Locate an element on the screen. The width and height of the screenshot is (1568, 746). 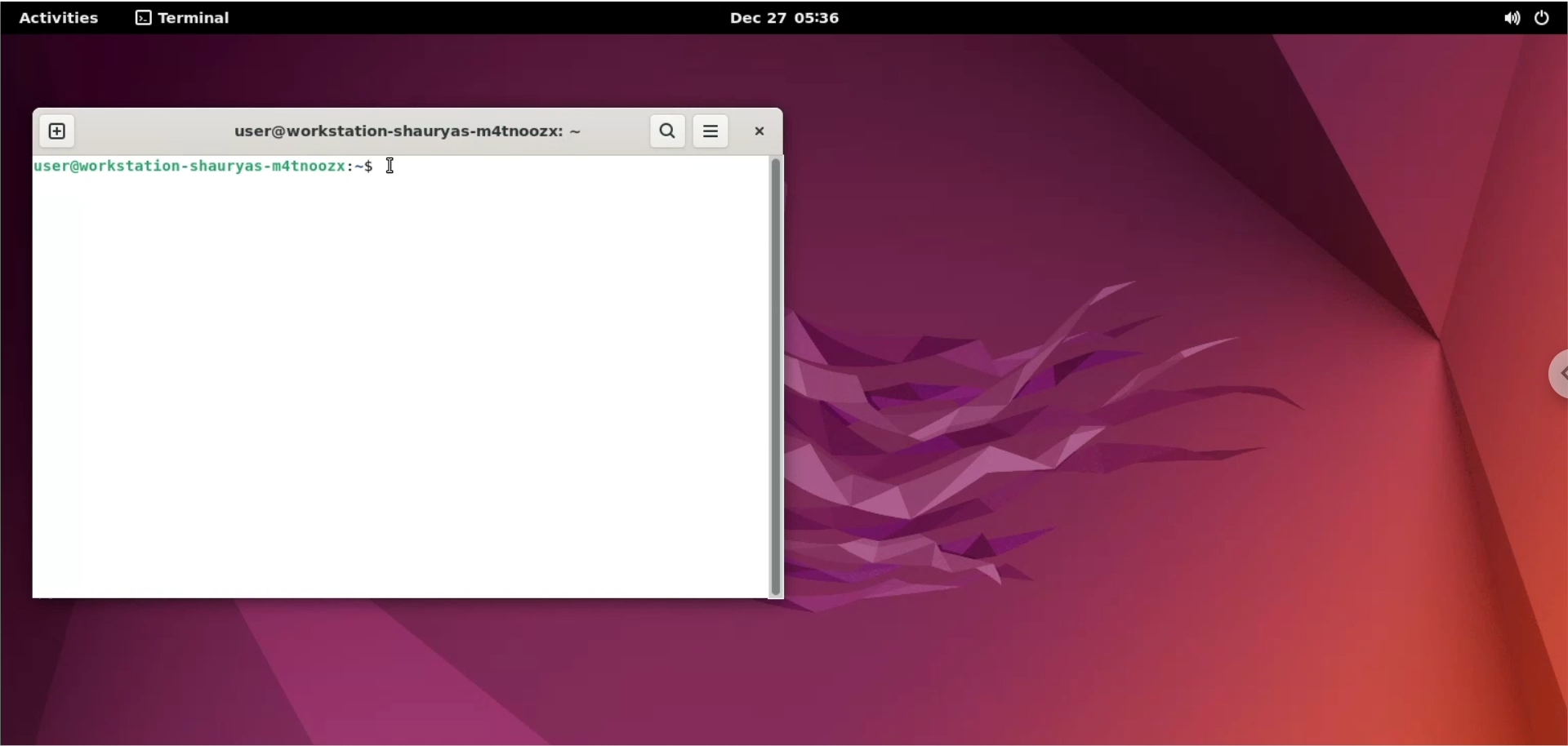
sound options is located at coordinates (1511, 20).